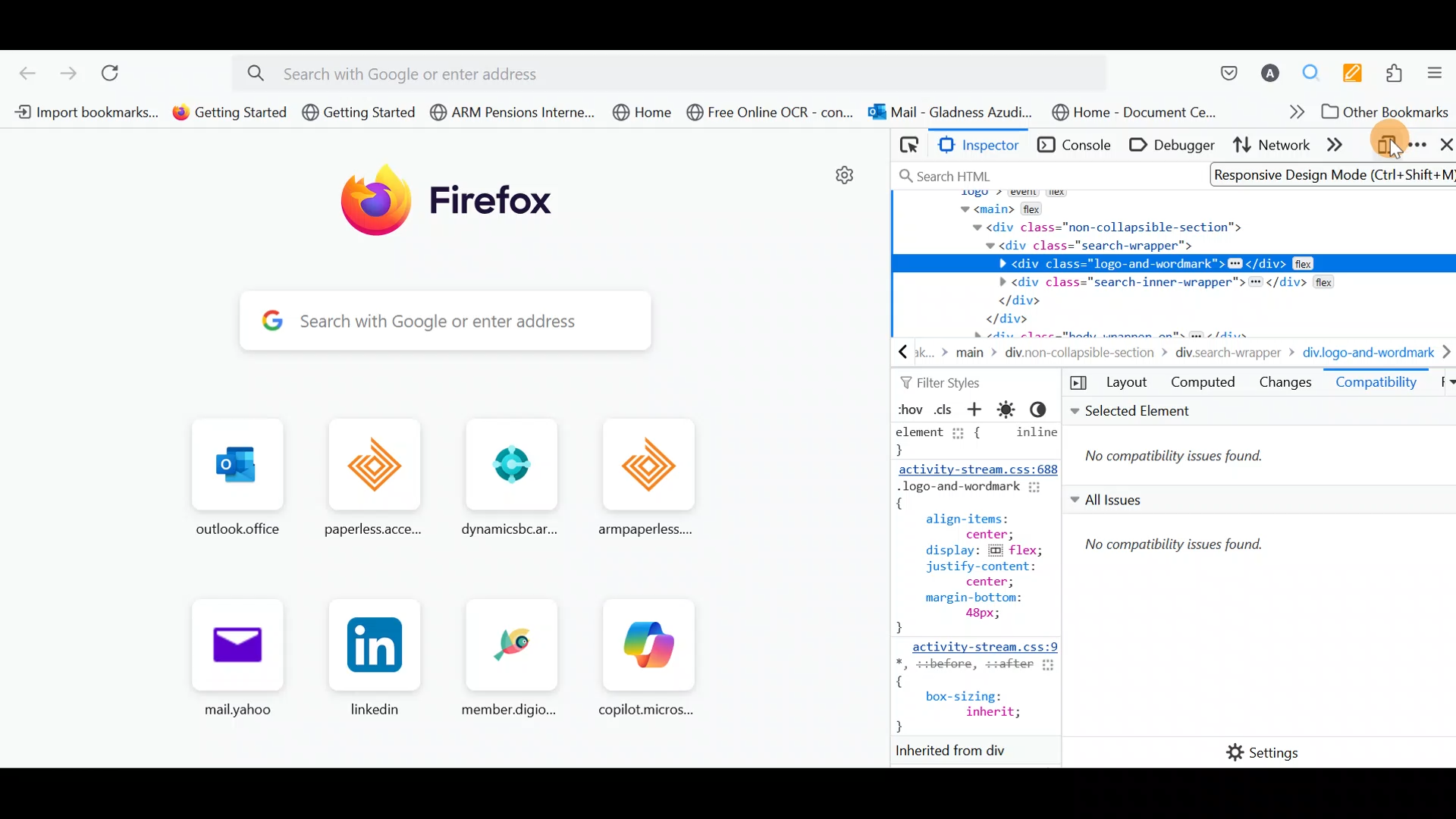 This screenshot has width=1456, height=819. What do you see at coordinates (1392, 152) in the screenshot?
I see `cursor` at bounding box center [1392, 152].